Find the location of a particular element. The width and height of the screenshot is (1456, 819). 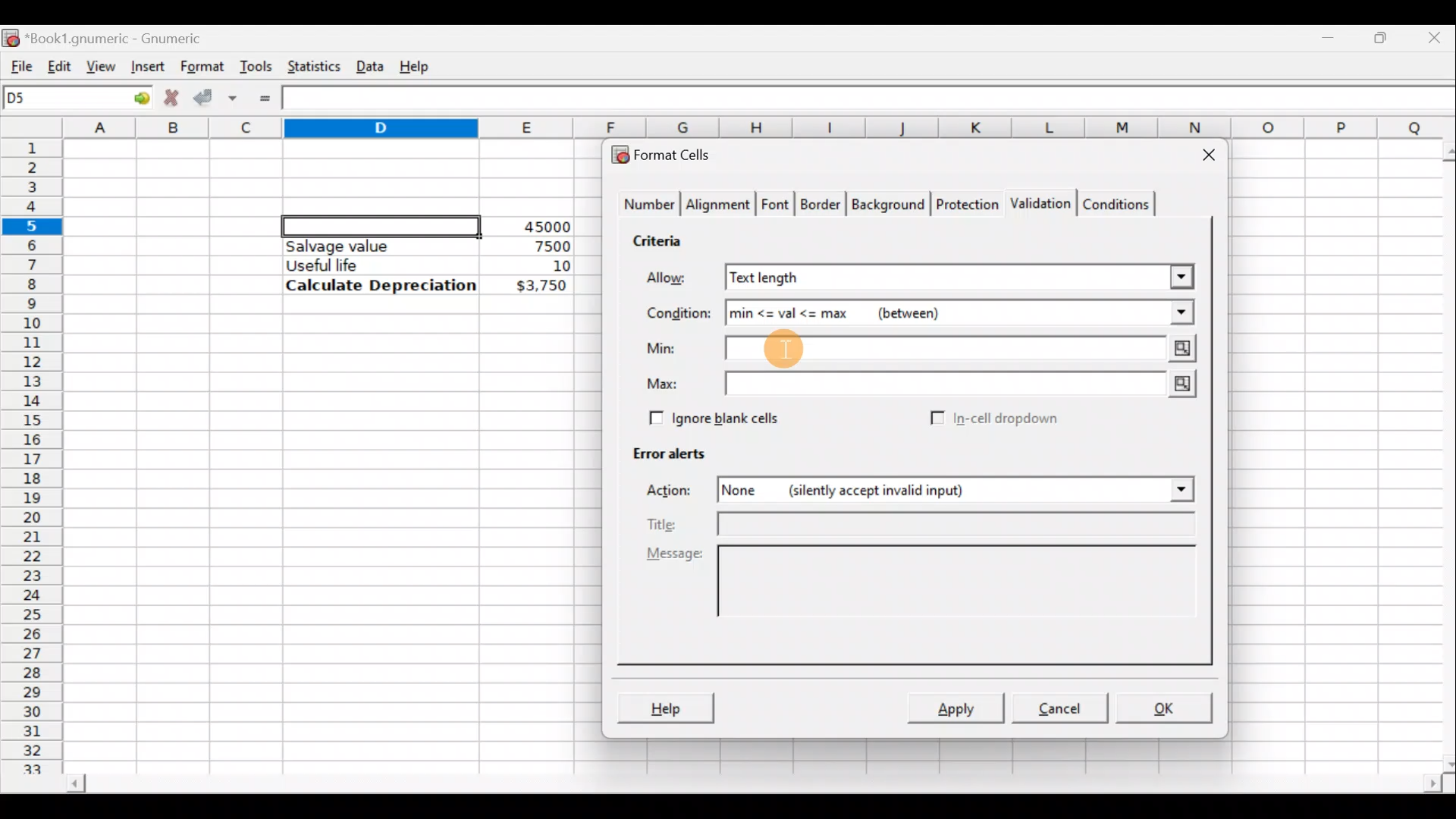

Ignore blank cells is located at coordinates (711, 416).